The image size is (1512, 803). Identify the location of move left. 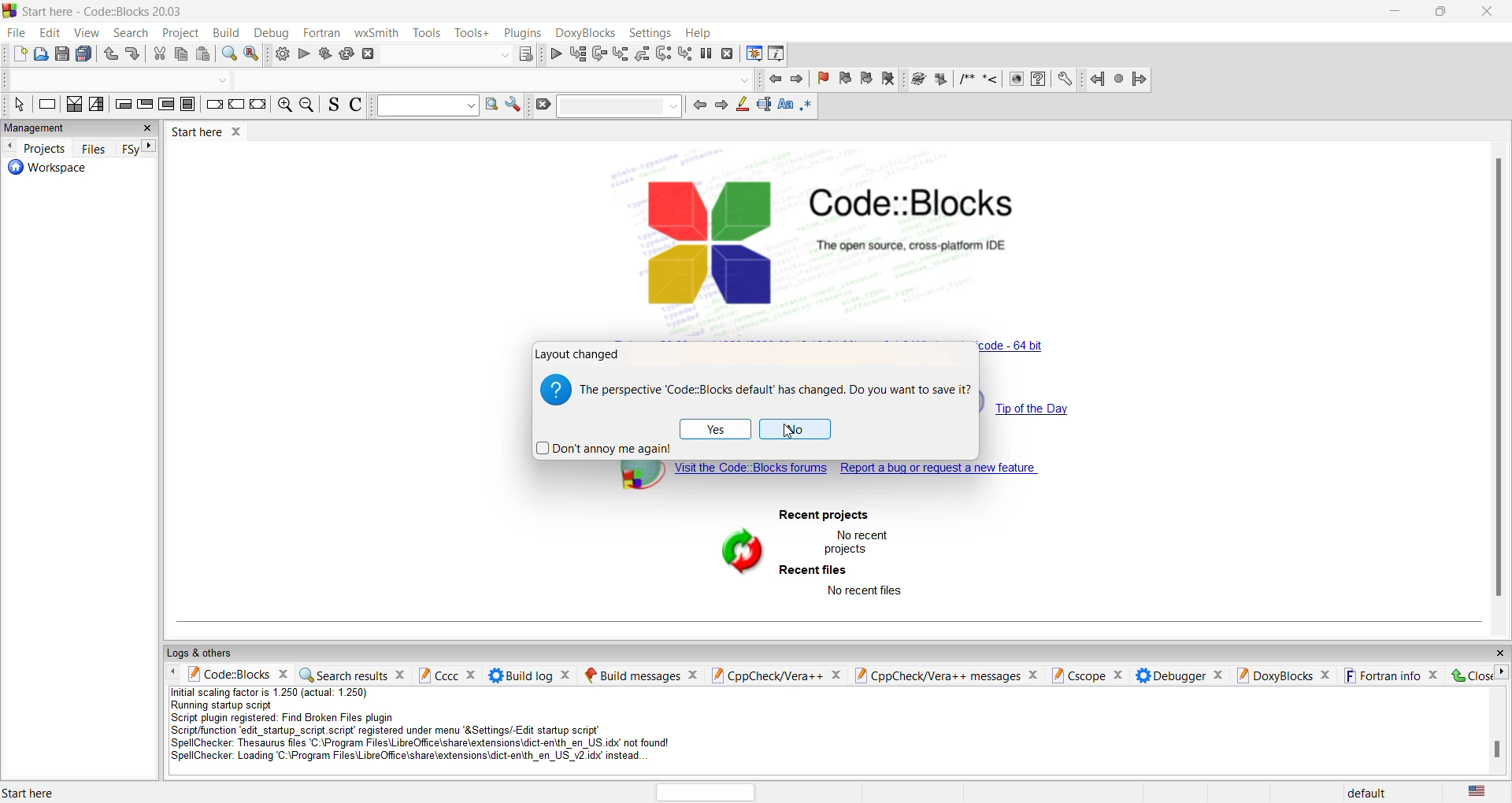
(11, 147).